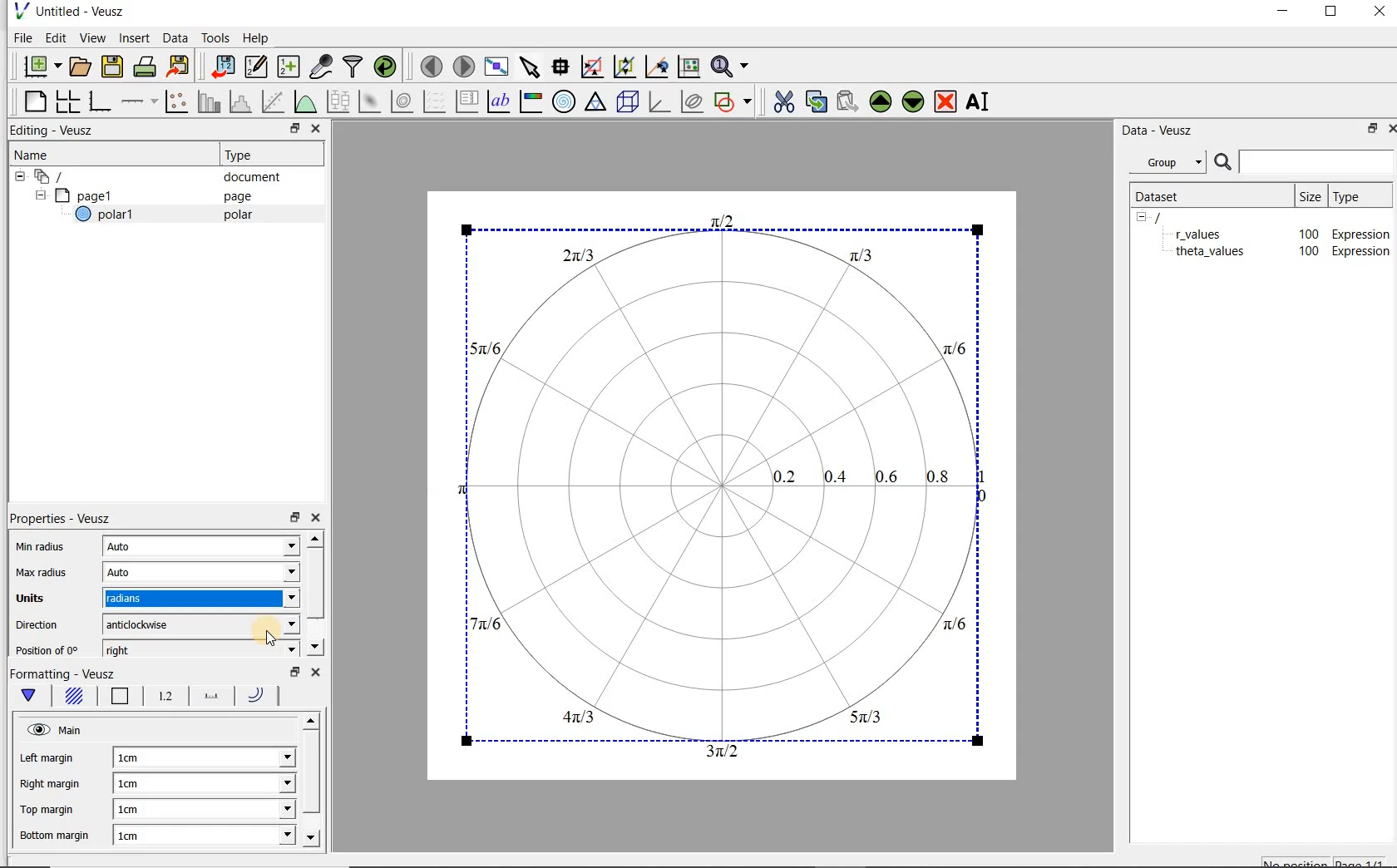 The height and width of the screenshot is (868, 1397). What do you see at coordinates (239, 218) in the screenshot?
I see `polar` at bounding box center [239, 218].